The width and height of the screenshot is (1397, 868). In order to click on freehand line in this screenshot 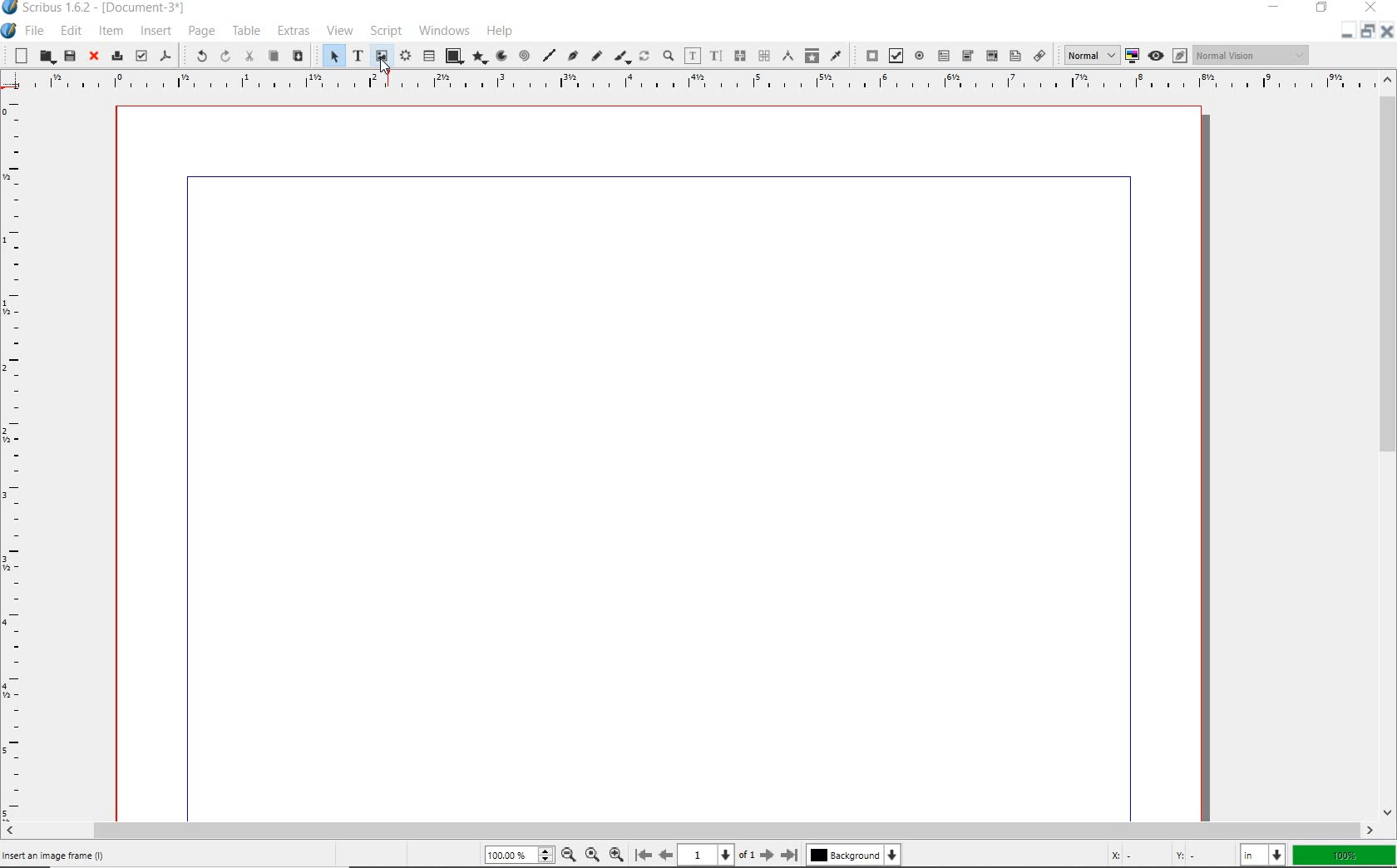, I will do `click(594, 55)`.